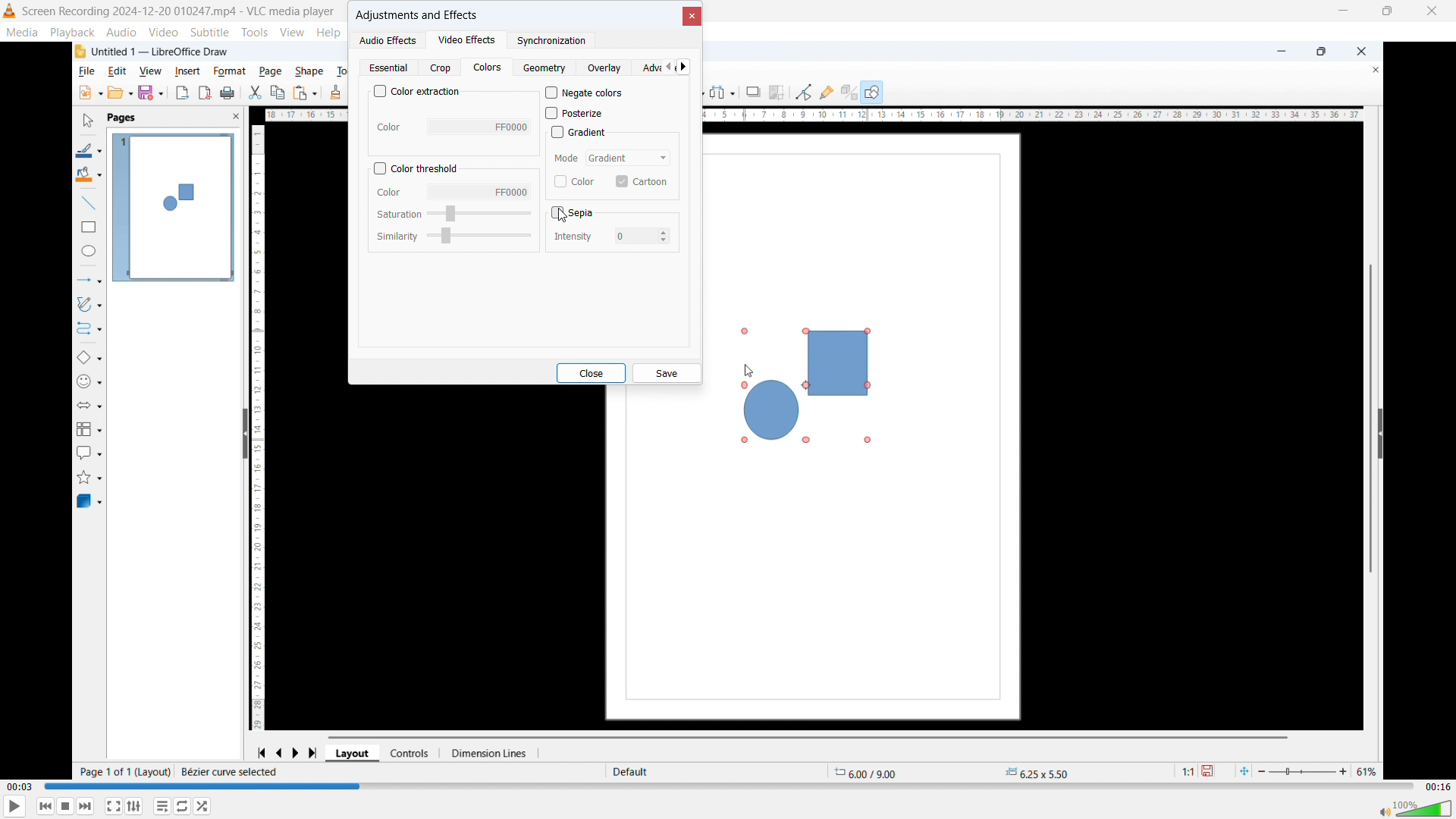  What do you see at coordinates (204, 806) in the screenshot?
I see `random` at bounding box center [204, 806].